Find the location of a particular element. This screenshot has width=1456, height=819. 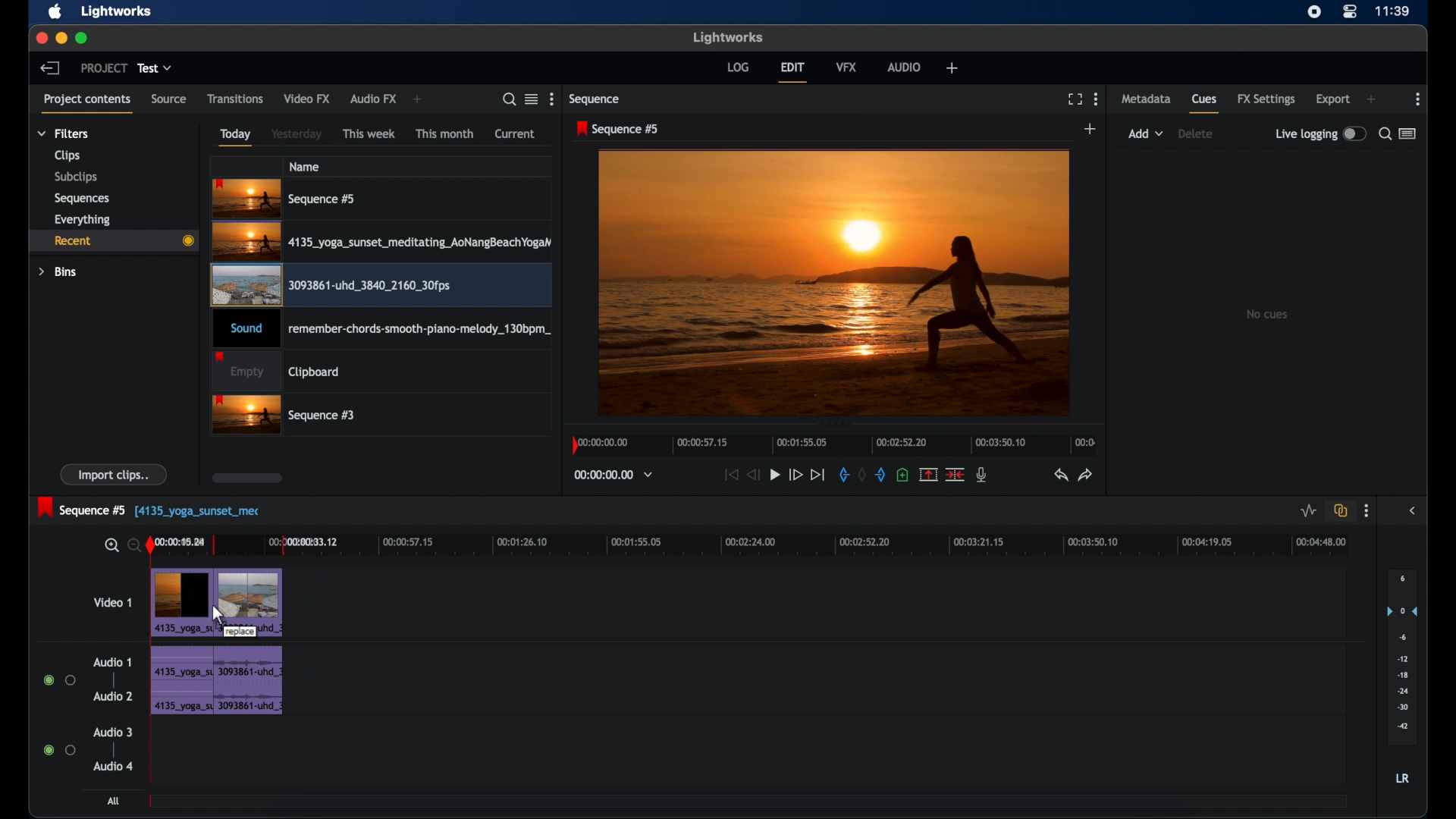

all is located at coordinates (113, 801).